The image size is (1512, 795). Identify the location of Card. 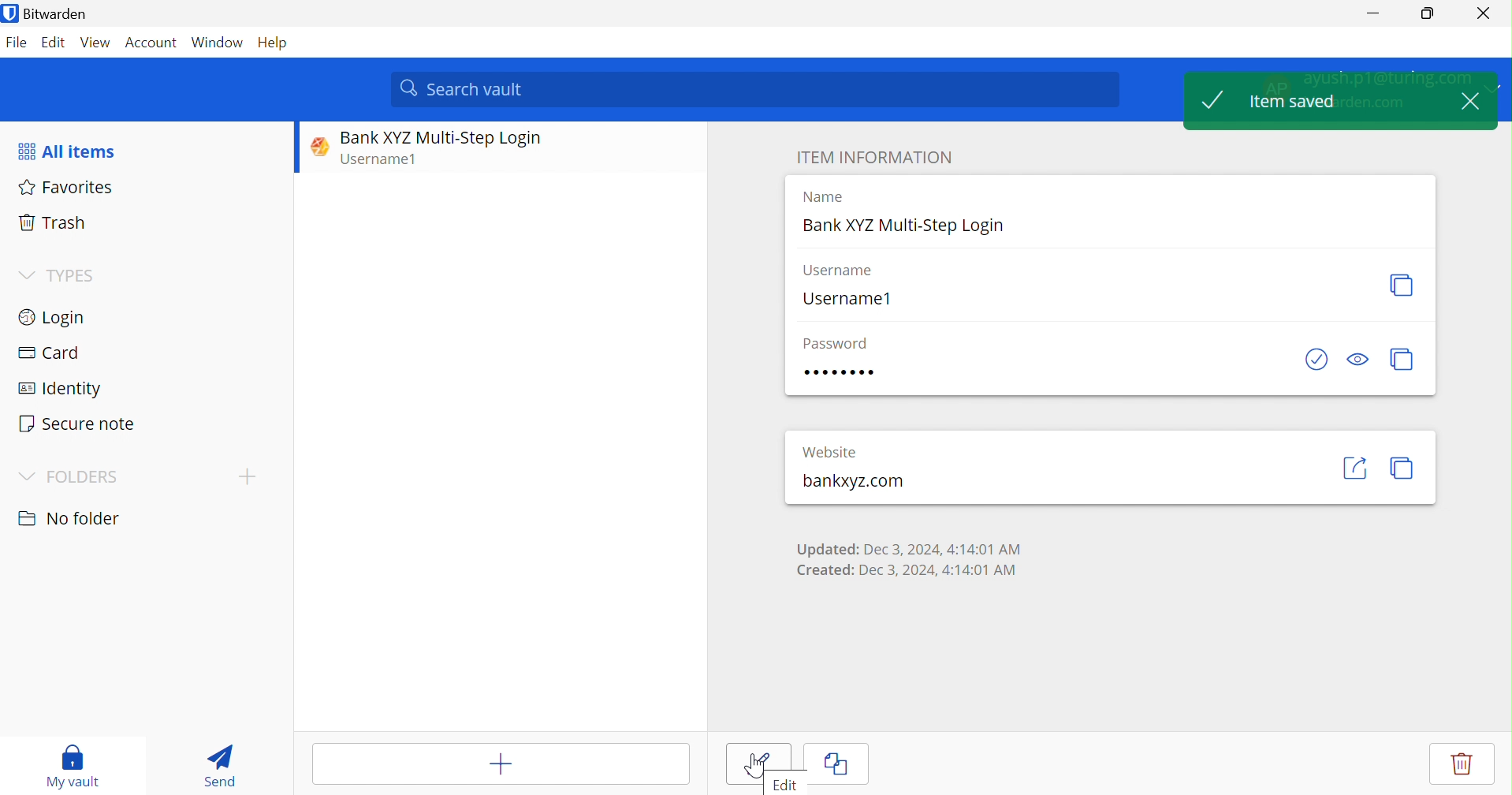
(48, 352).